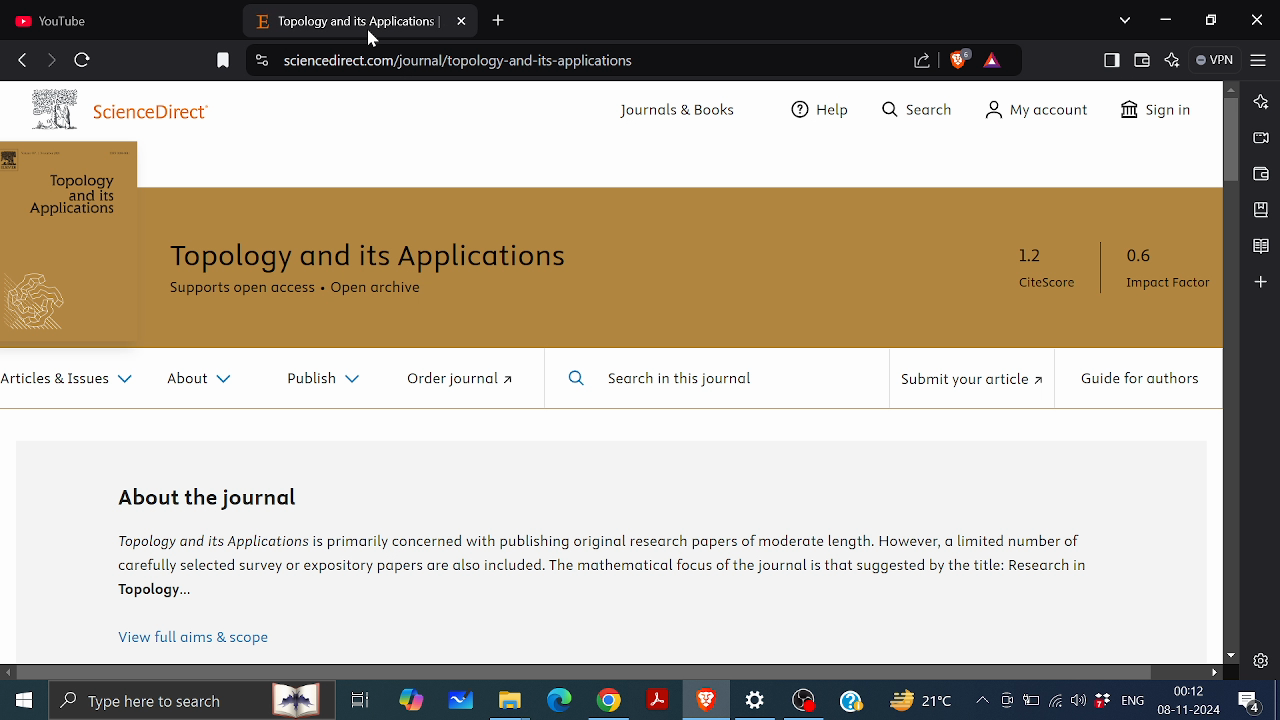 This screenshot has height=720, width=1280. I want to click on Horizontal scrollbar, so click(586, 671).